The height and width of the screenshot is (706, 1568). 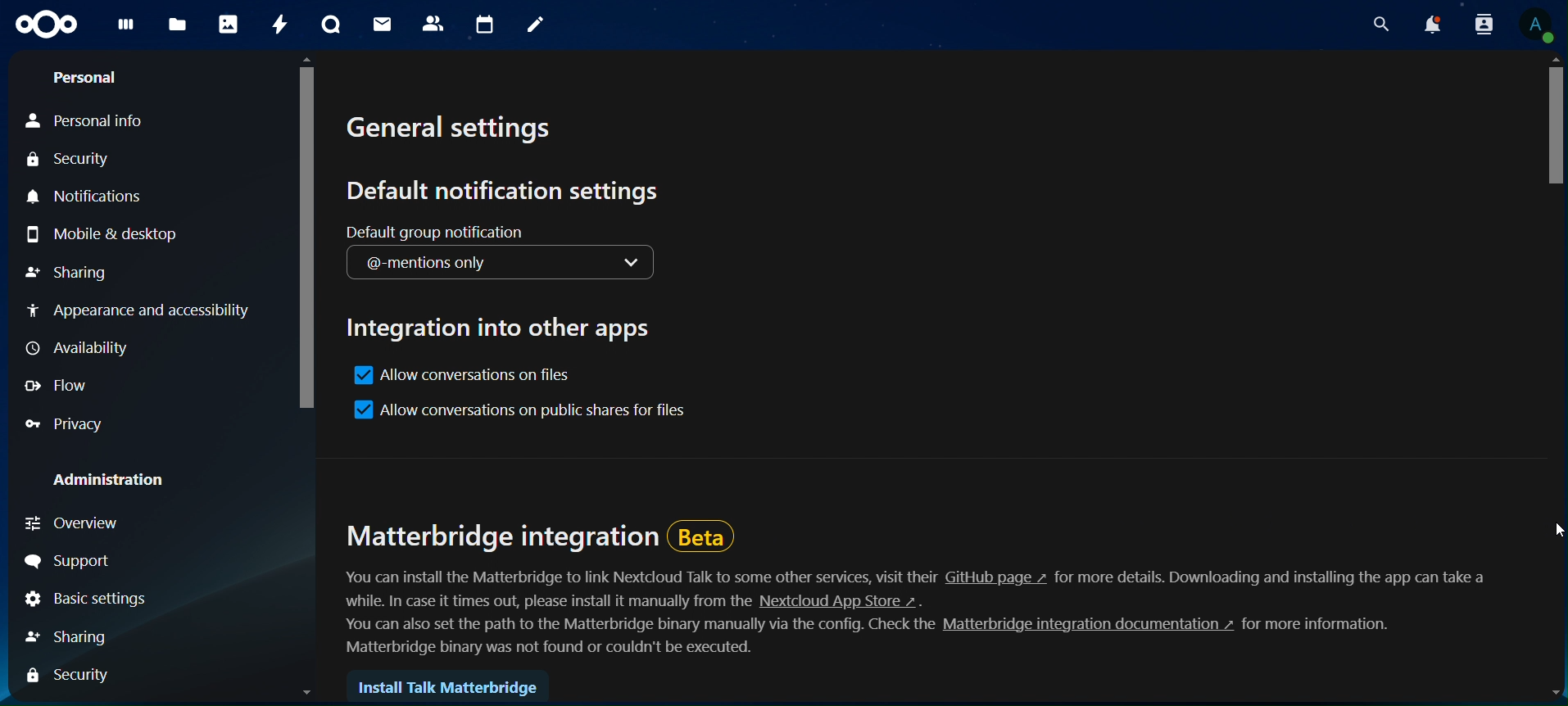 I want to click on Overview, so click(x=73, y=526).